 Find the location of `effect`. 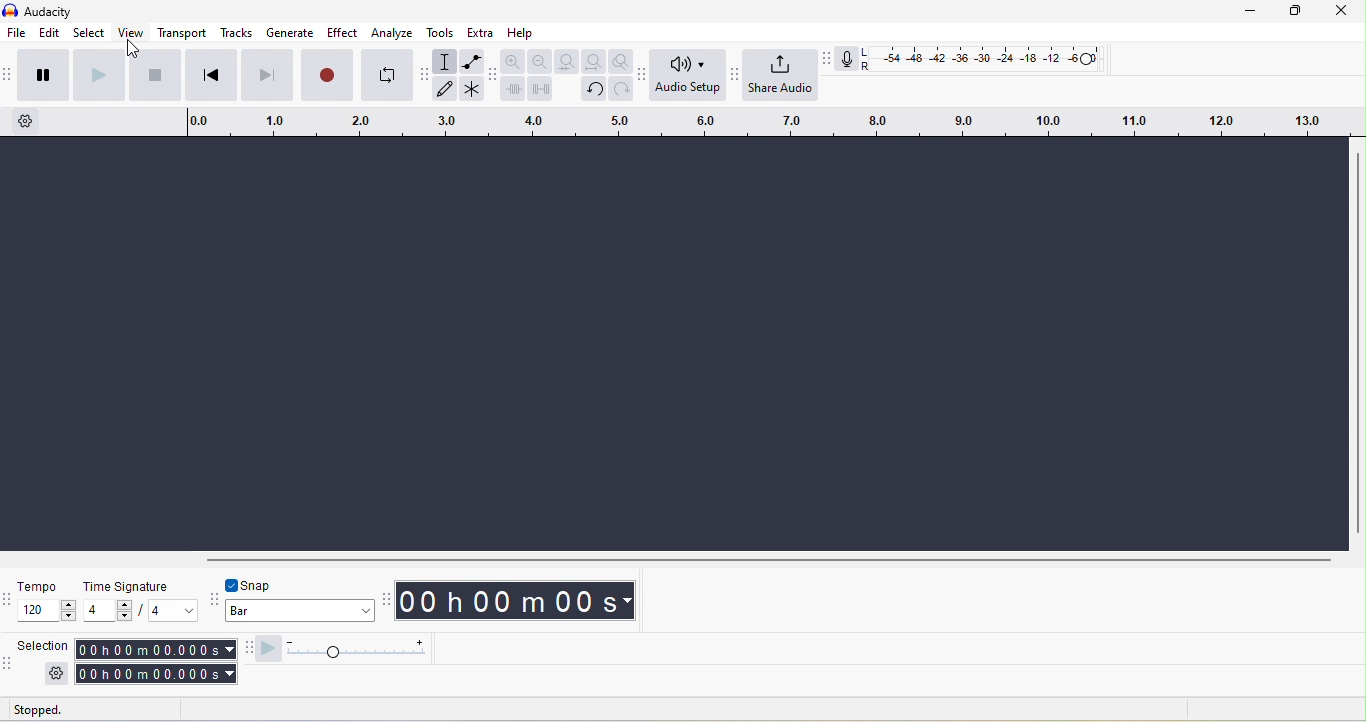

effect is located at coordinates (342, 32).